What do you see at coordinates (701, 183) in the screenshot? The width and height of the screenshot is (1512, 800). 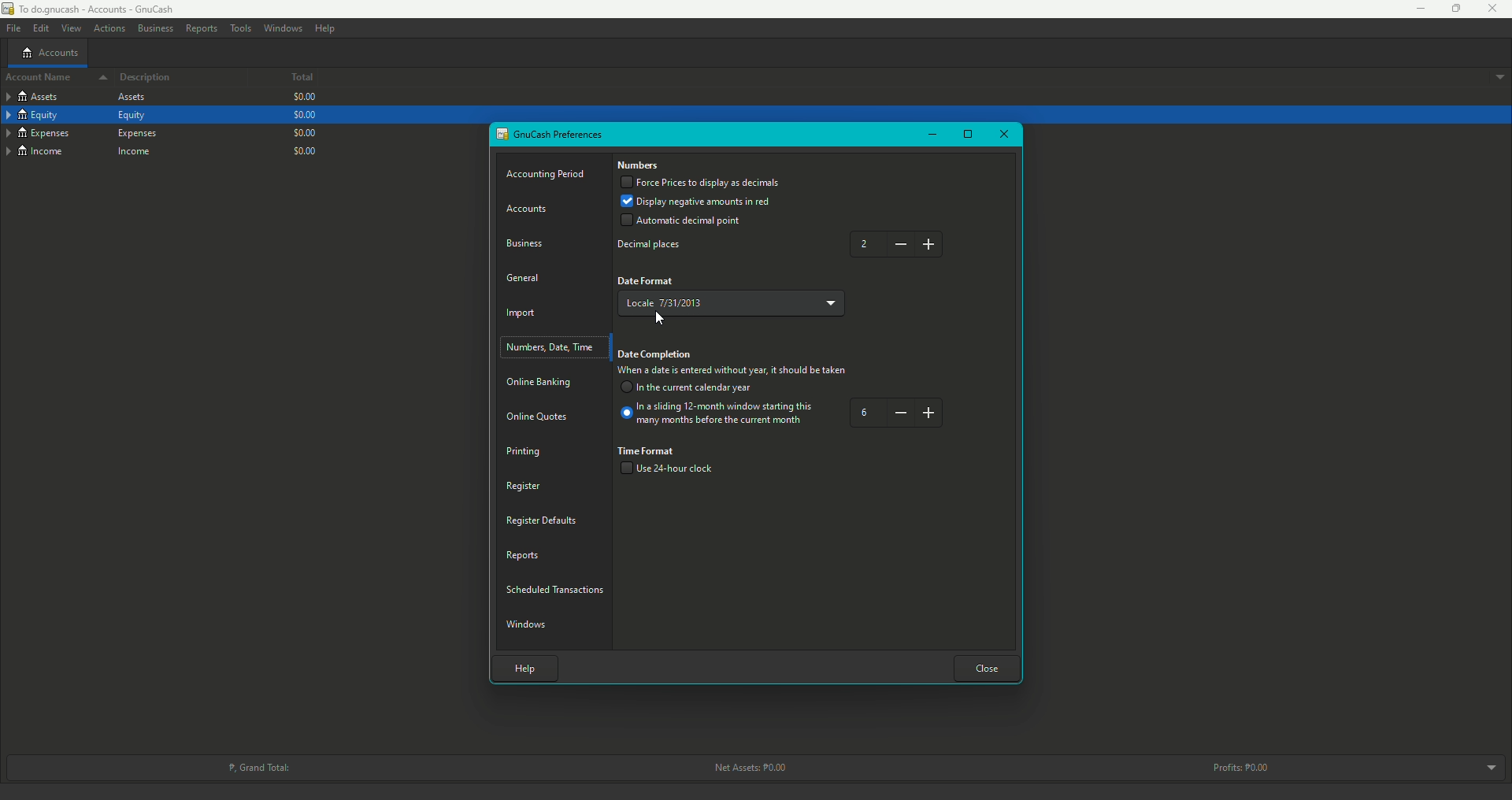 I see `Force Prices` at bounding box center [701, 183].